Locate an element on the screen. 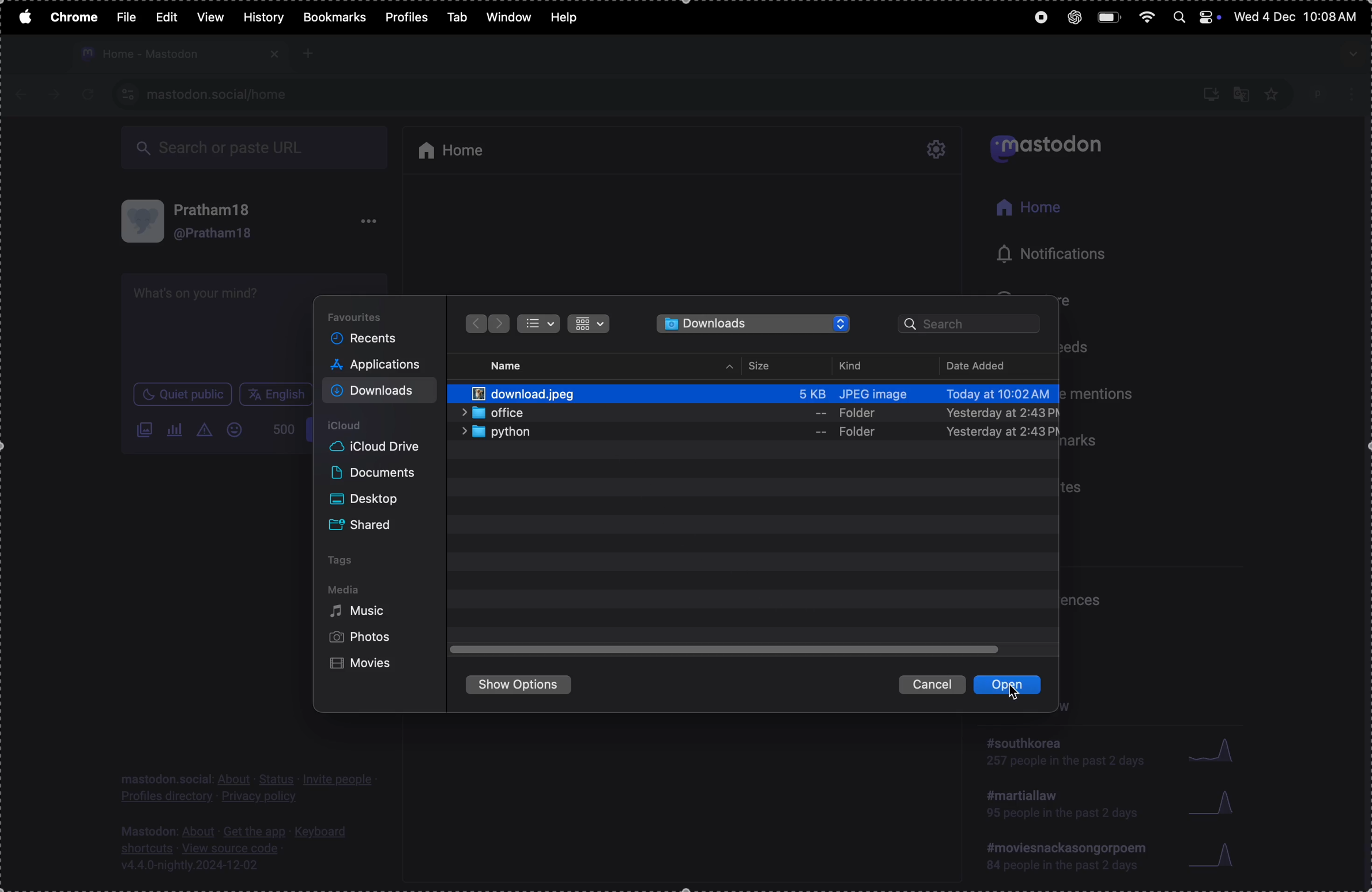 Image resolution: width=1372 pixels, height=892 pixels. drop up is located at coordinates (730, 368).